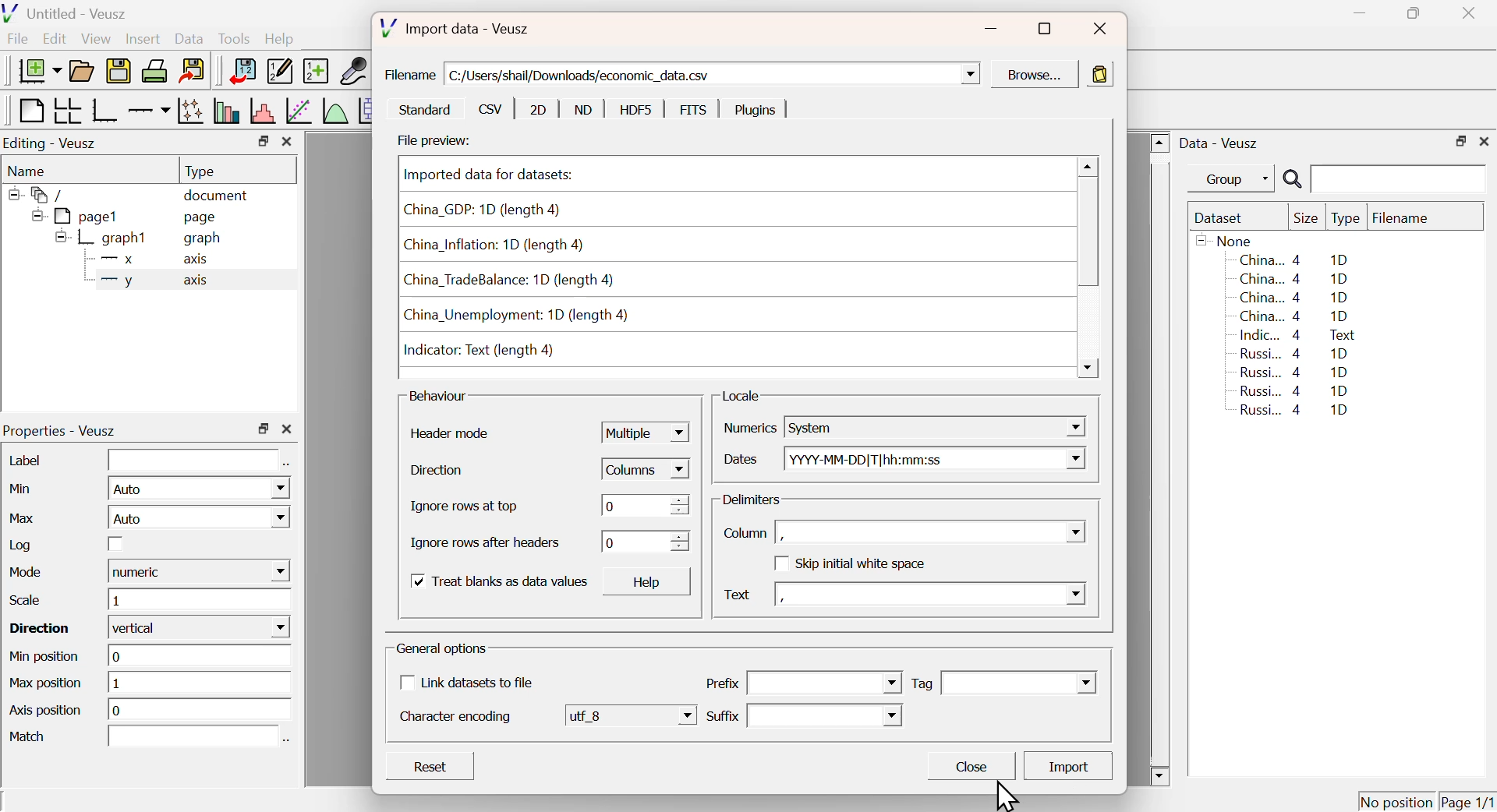  I want to click on Maximize, so click(1045, 29).